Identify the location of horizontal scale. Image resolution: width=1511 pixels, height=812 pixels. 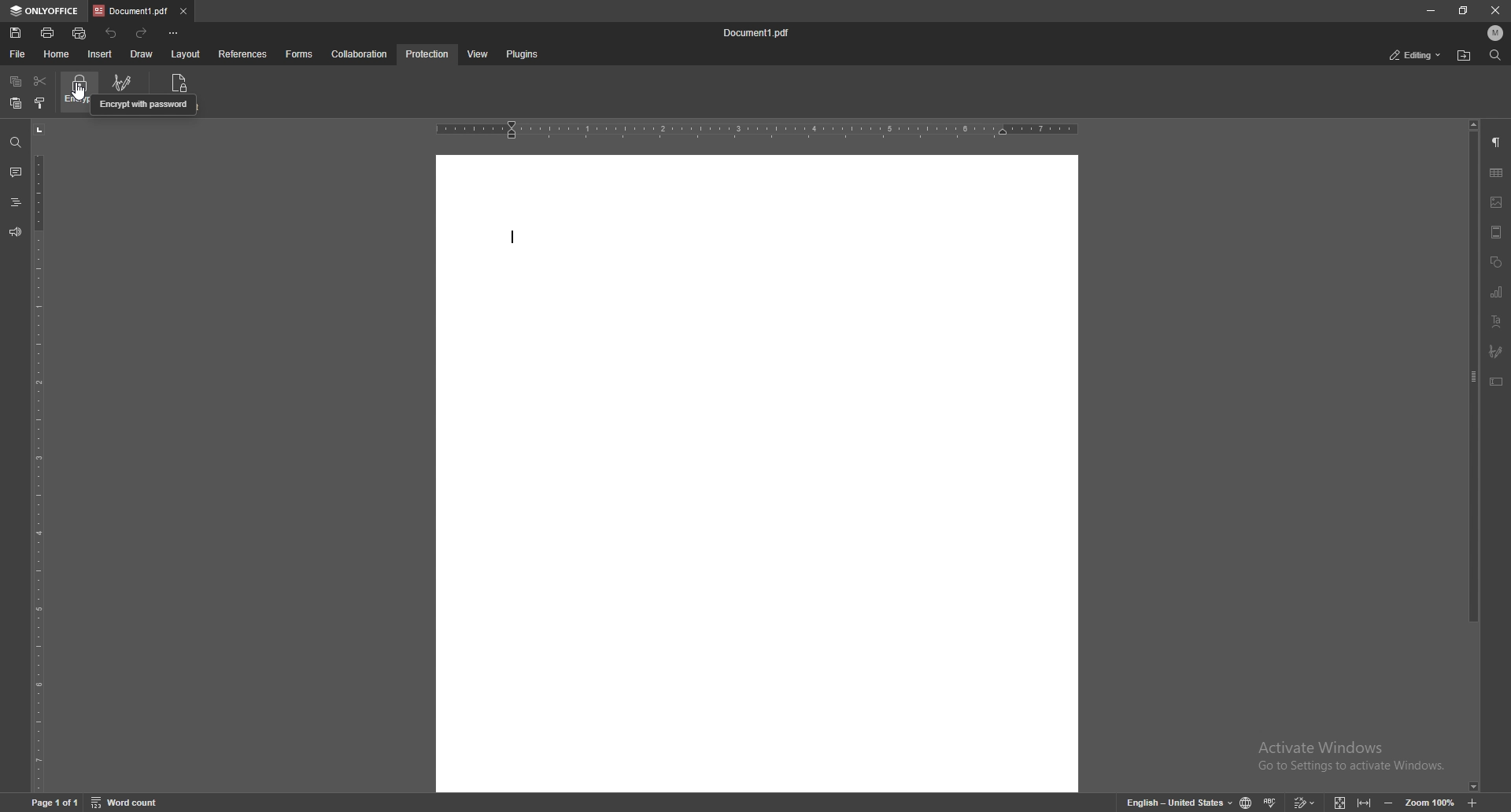
(756, 129).